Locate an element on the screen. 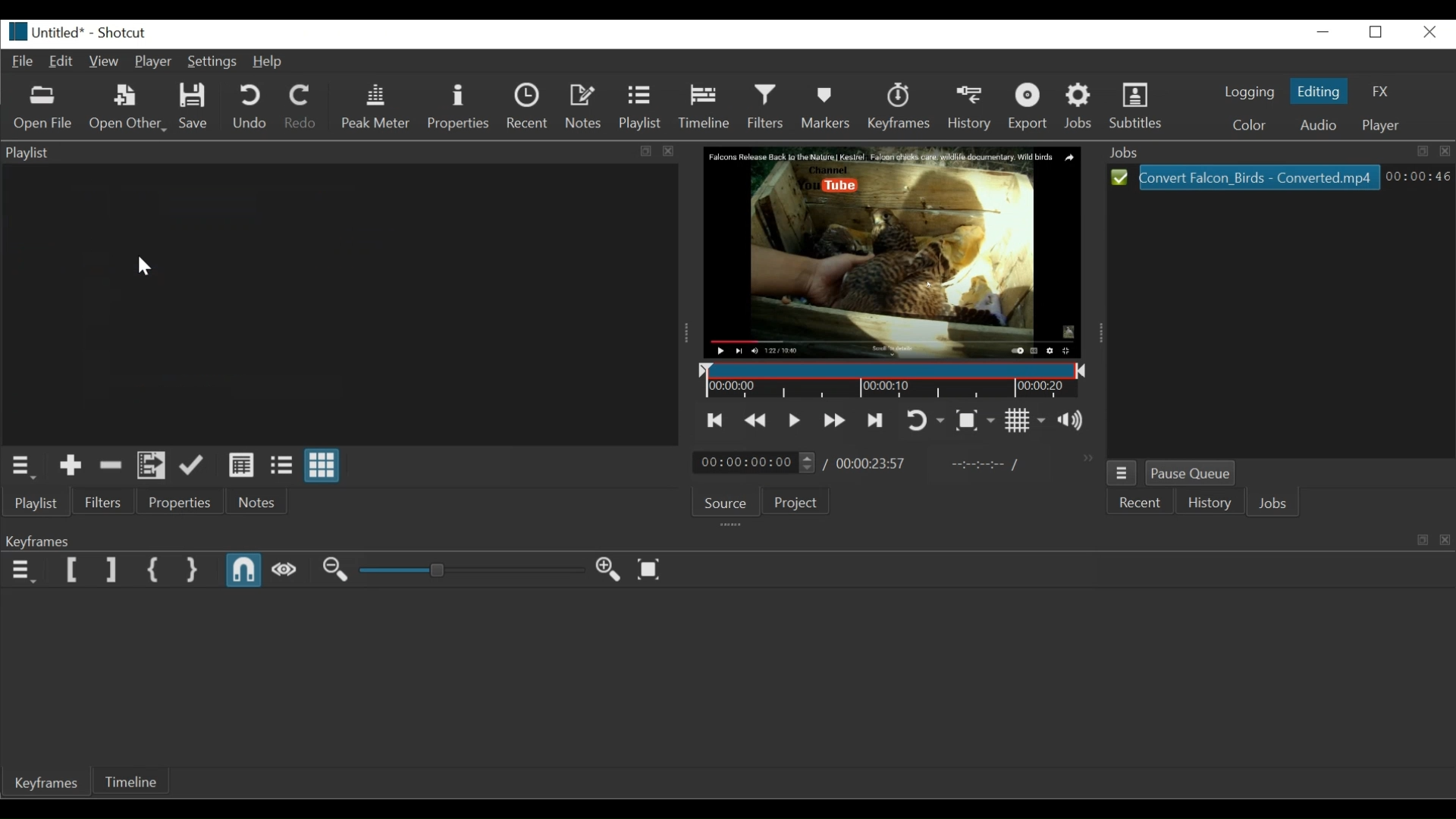 The height and width of the screenshot is (819, 1456). Notes is located at coordinates (585, 107).